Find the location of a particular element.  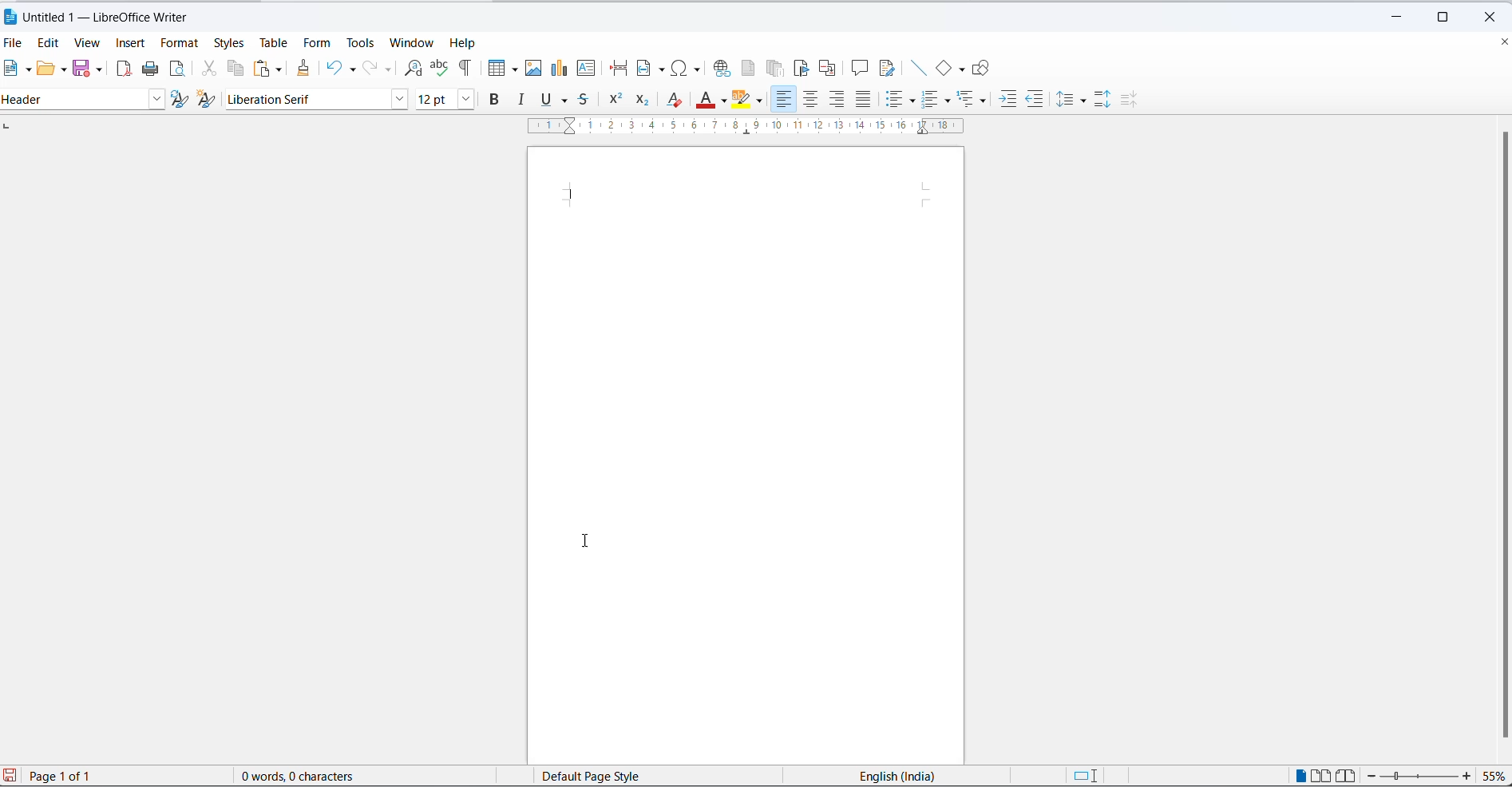

insert line is located at coordinates (917, 69).